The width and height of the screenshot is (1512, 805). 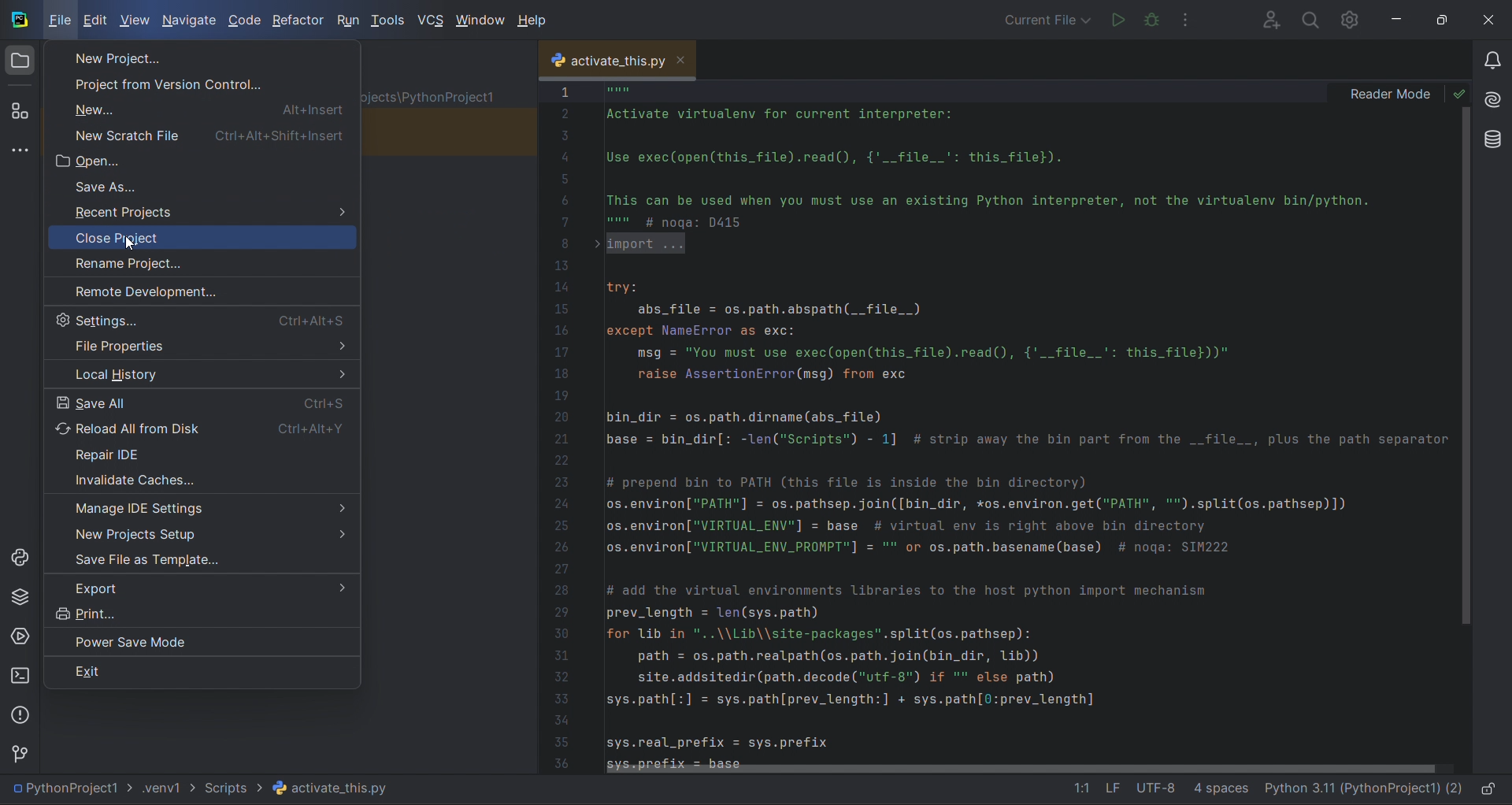 I want to click on cache, so click(x=202, y=477).